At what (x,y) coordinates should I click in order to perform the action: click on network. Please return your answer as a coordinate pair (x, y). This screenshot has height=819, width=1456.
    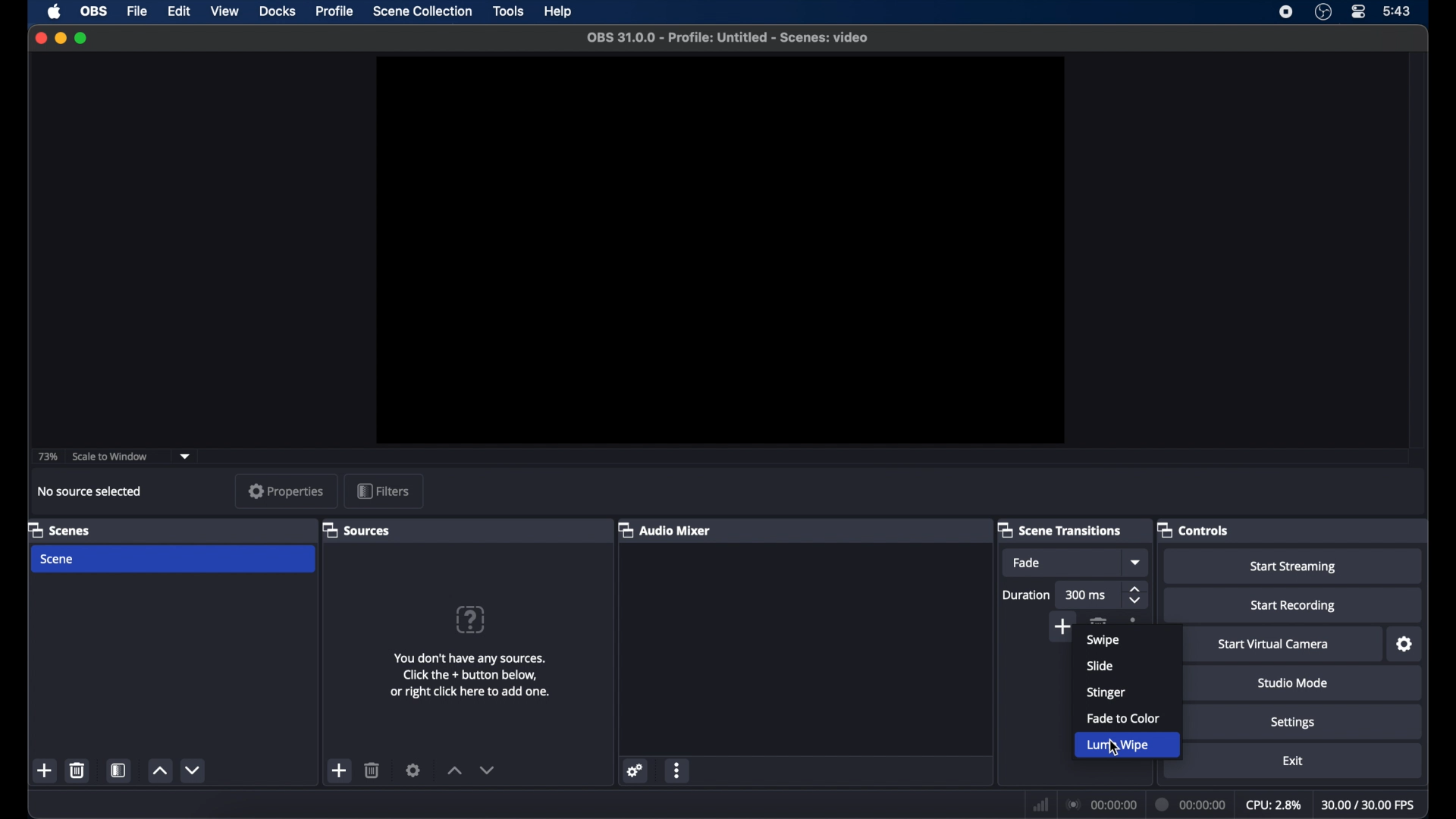
    Looking at the image, I should click on (1041, 805).